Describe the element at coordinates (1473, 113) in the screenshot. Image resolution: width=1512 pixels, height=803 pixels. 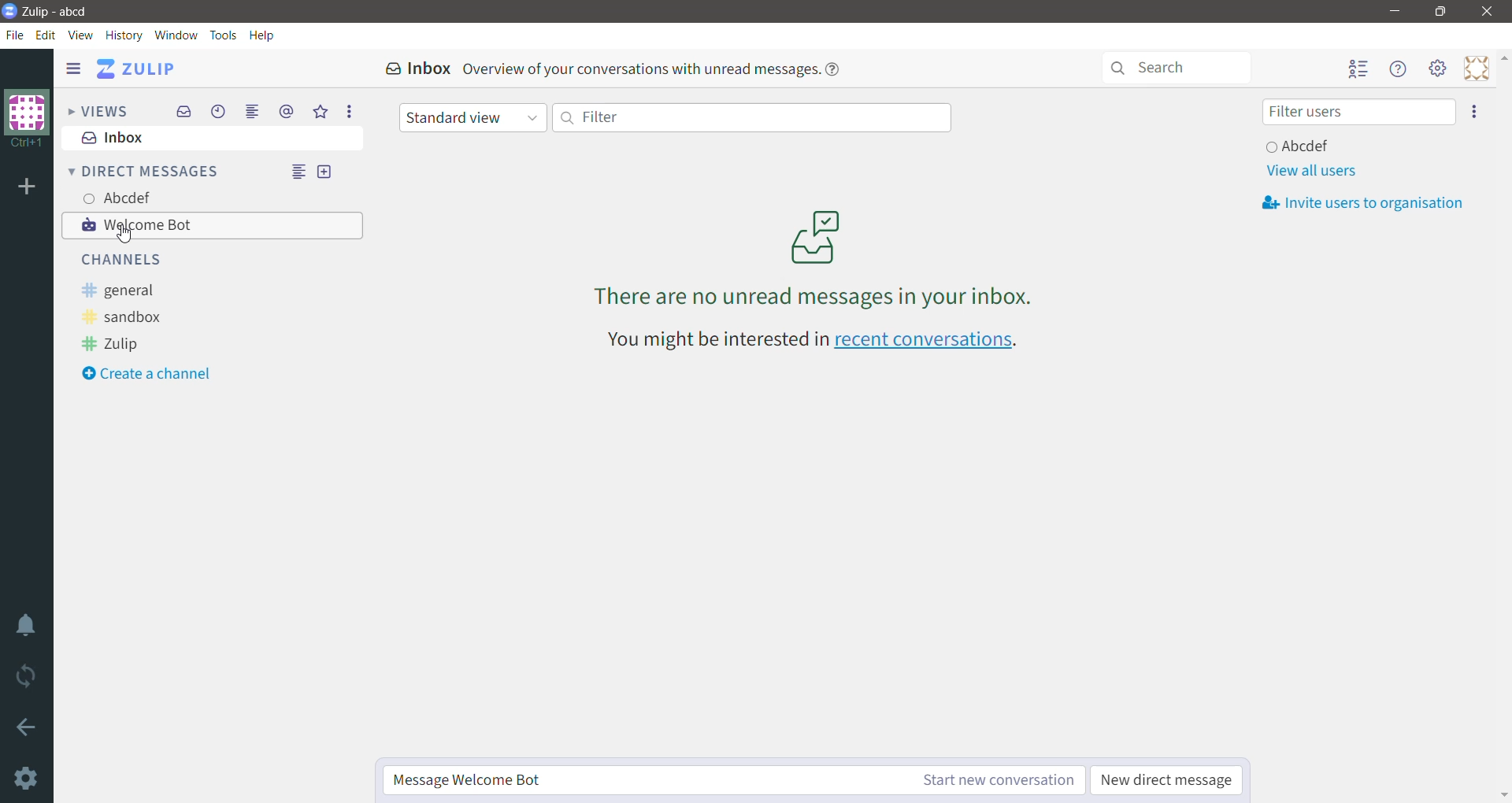
I see `Invite users to organization` at that location.